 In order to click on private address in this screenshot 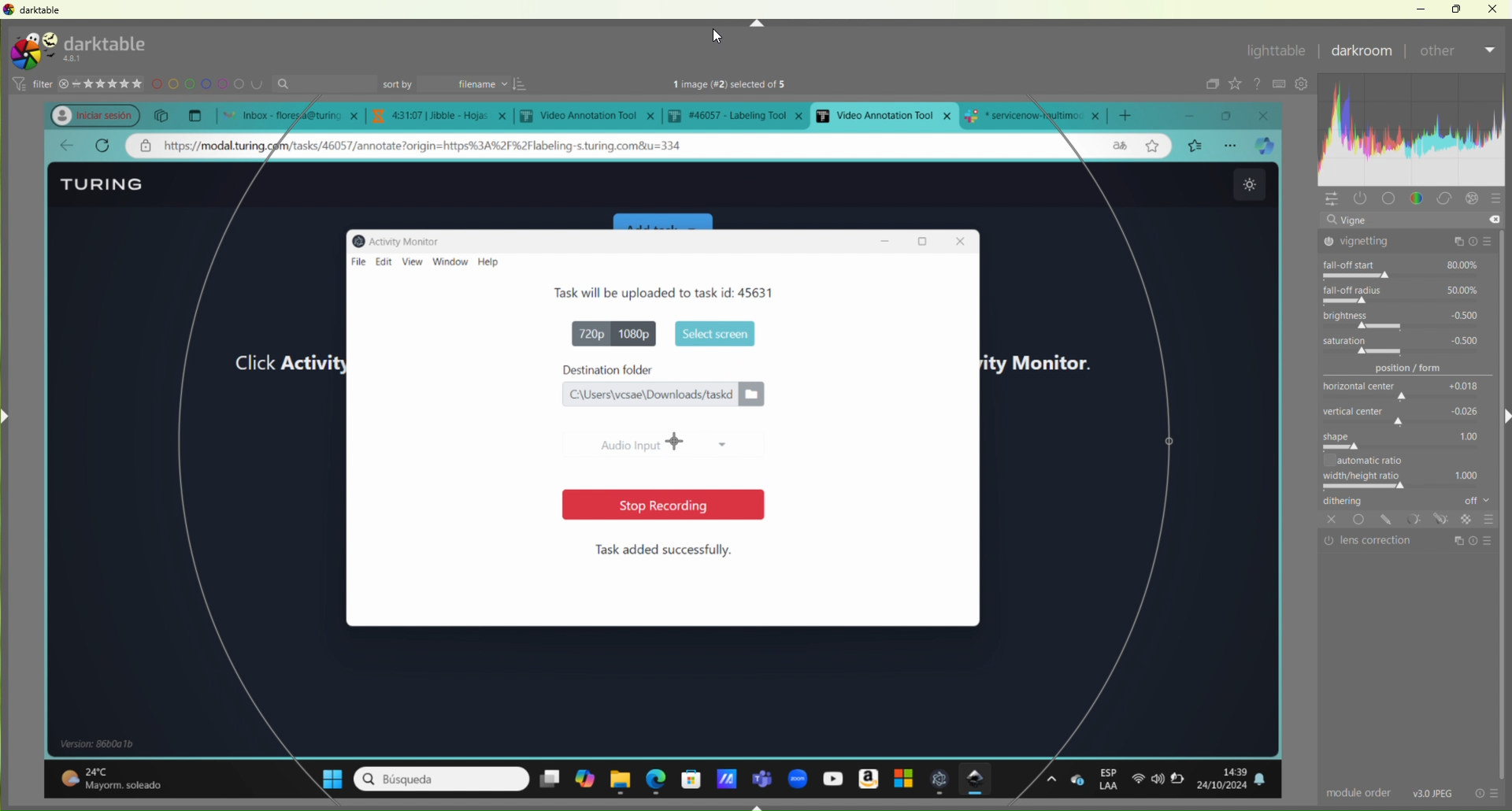, I will do `click(149, 147)`.